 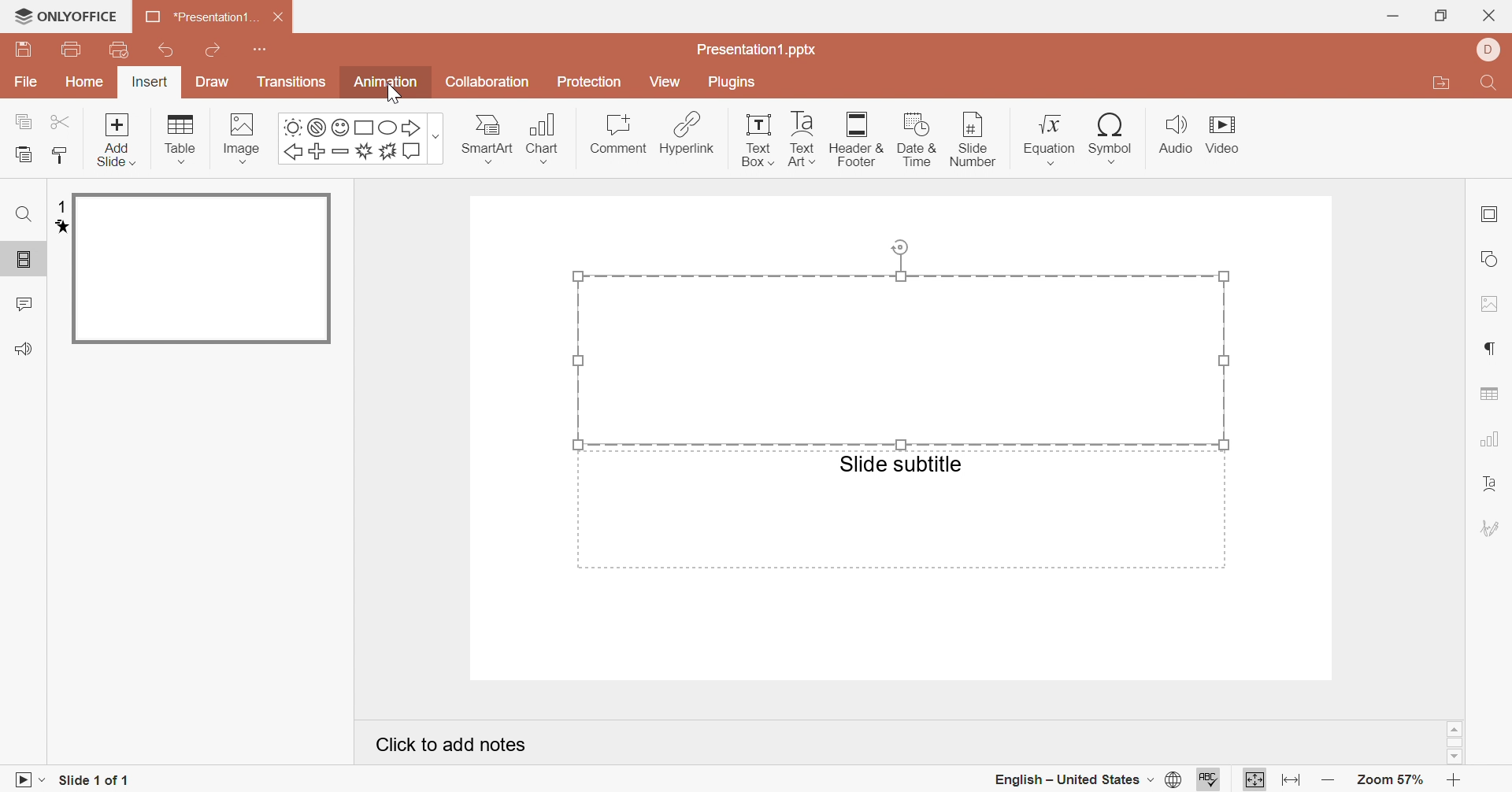 What do you see at coordinates (917, 139) in the screenshot?
I see `date & time` at bounding box center [917, 139].